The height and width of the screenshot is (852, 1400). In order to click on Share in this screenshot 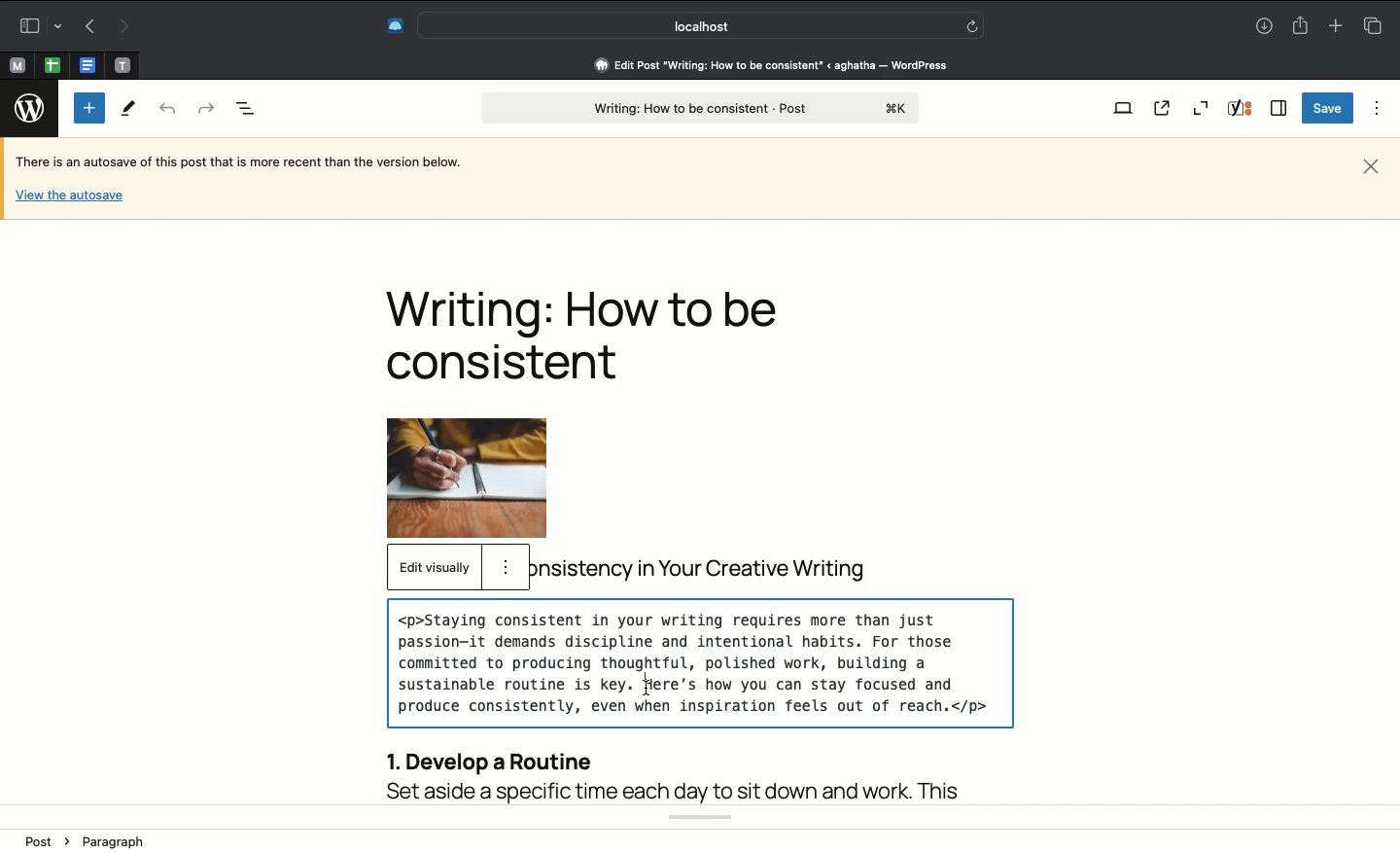, I will do `click(1303, 26)`.